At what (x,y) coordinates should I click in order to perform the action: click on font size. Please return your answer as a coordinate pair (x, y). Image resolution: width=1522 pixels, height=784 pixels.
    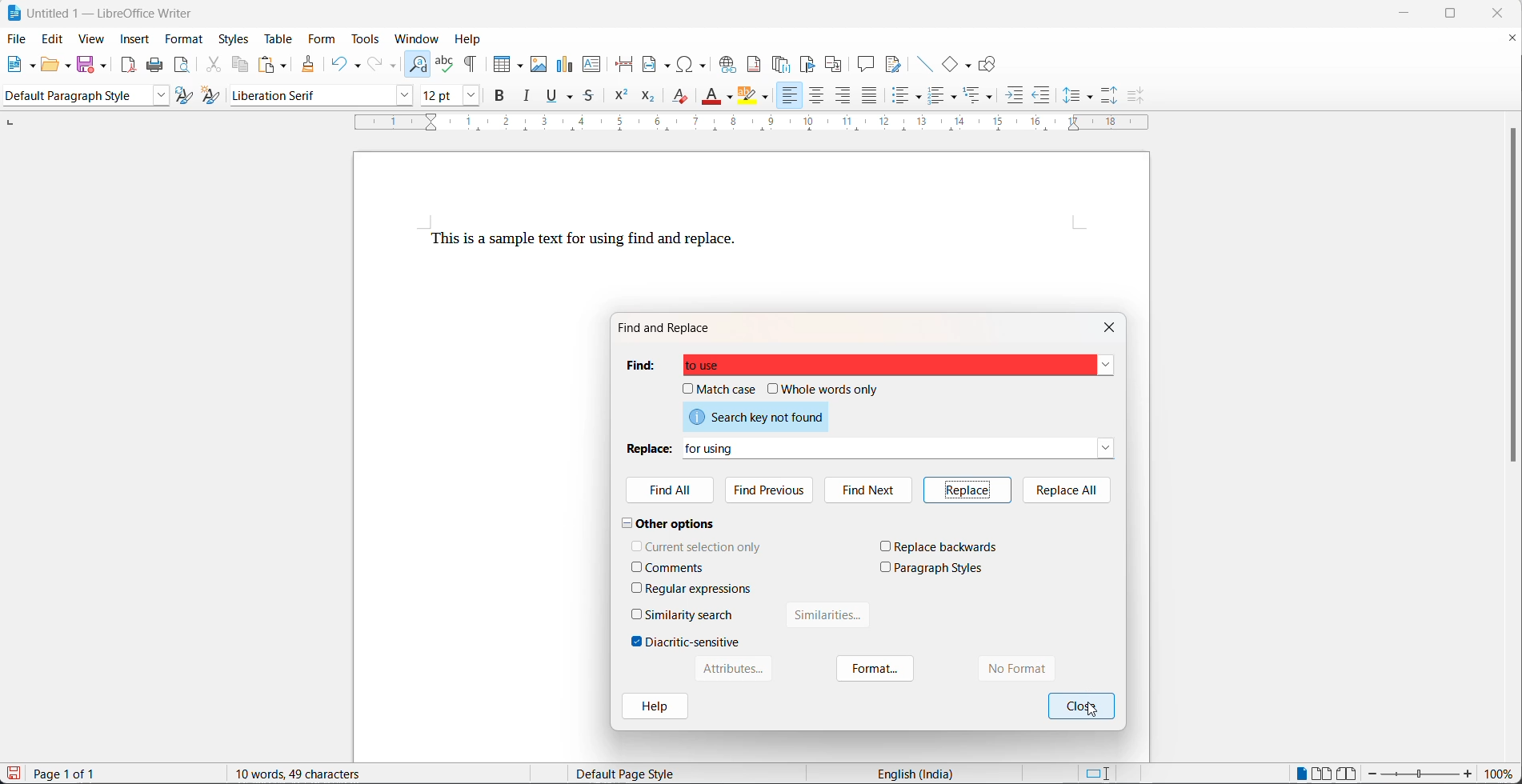
    Looking at the image, I should click on (436, 98).